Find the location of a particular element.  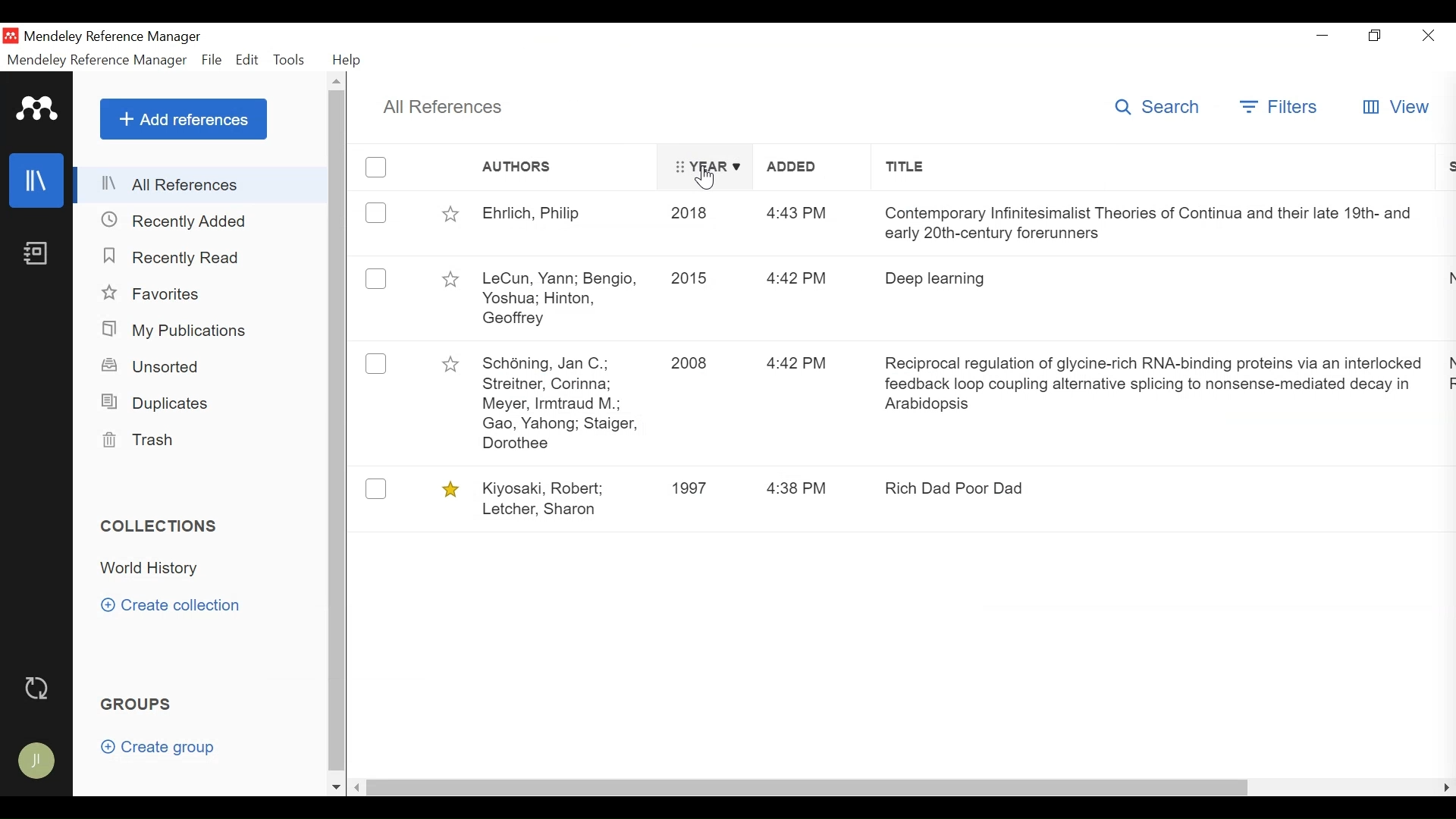

(un)Select is located at coordinates (375, 214).